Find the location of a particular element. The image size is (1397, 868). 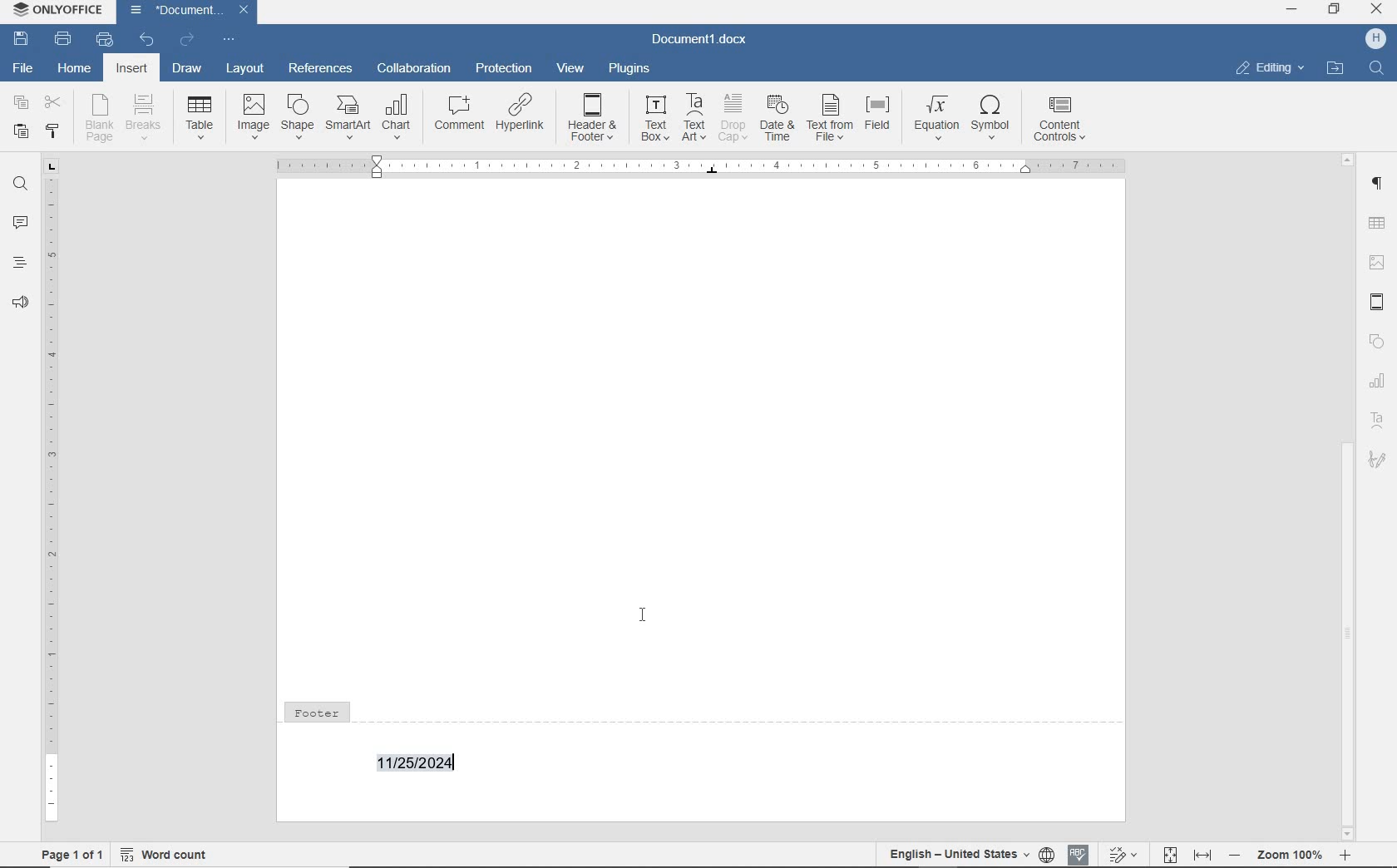

protection is located at coordinates (502, 68).